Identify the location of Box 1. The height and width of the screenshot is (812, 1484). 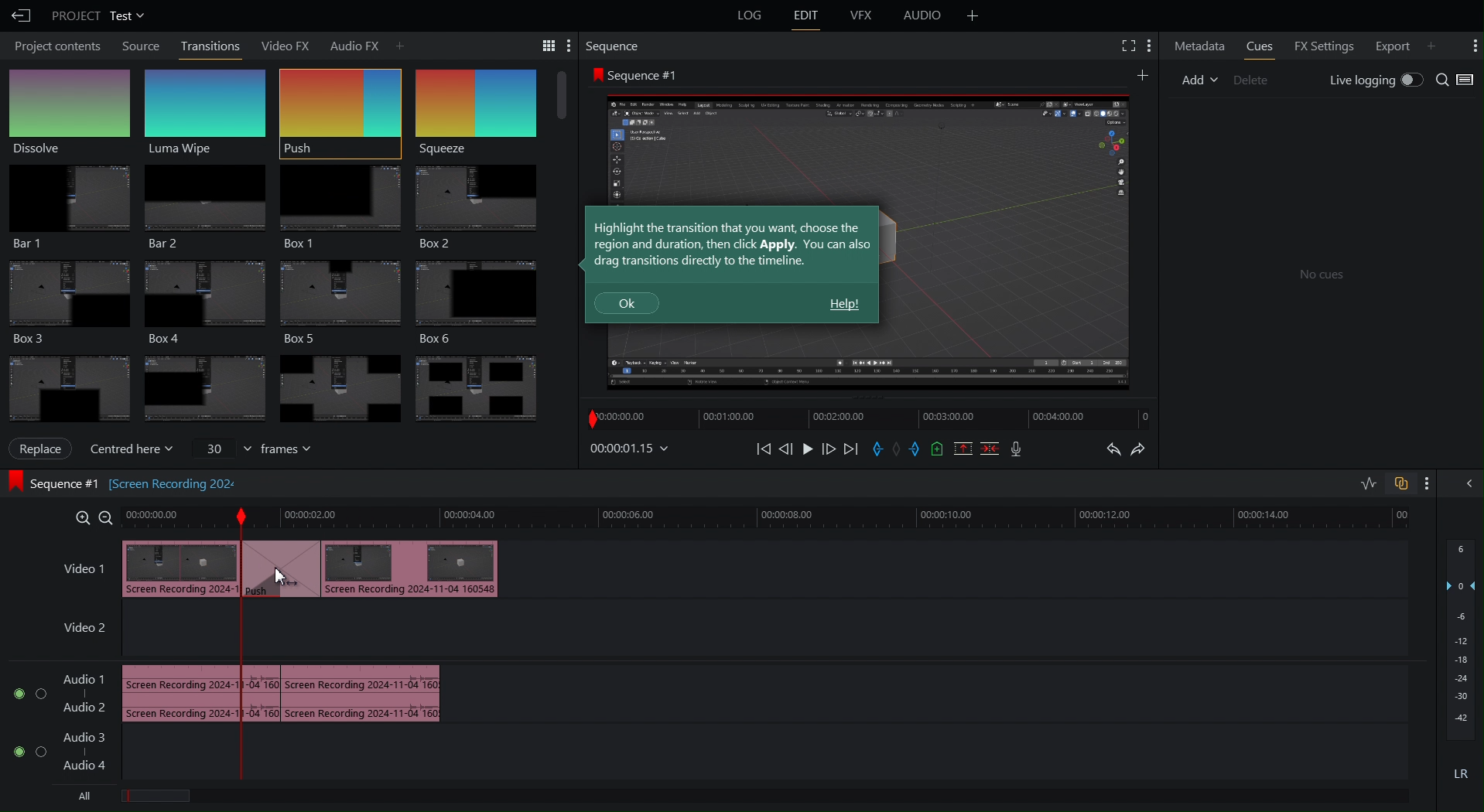
(337, 207).